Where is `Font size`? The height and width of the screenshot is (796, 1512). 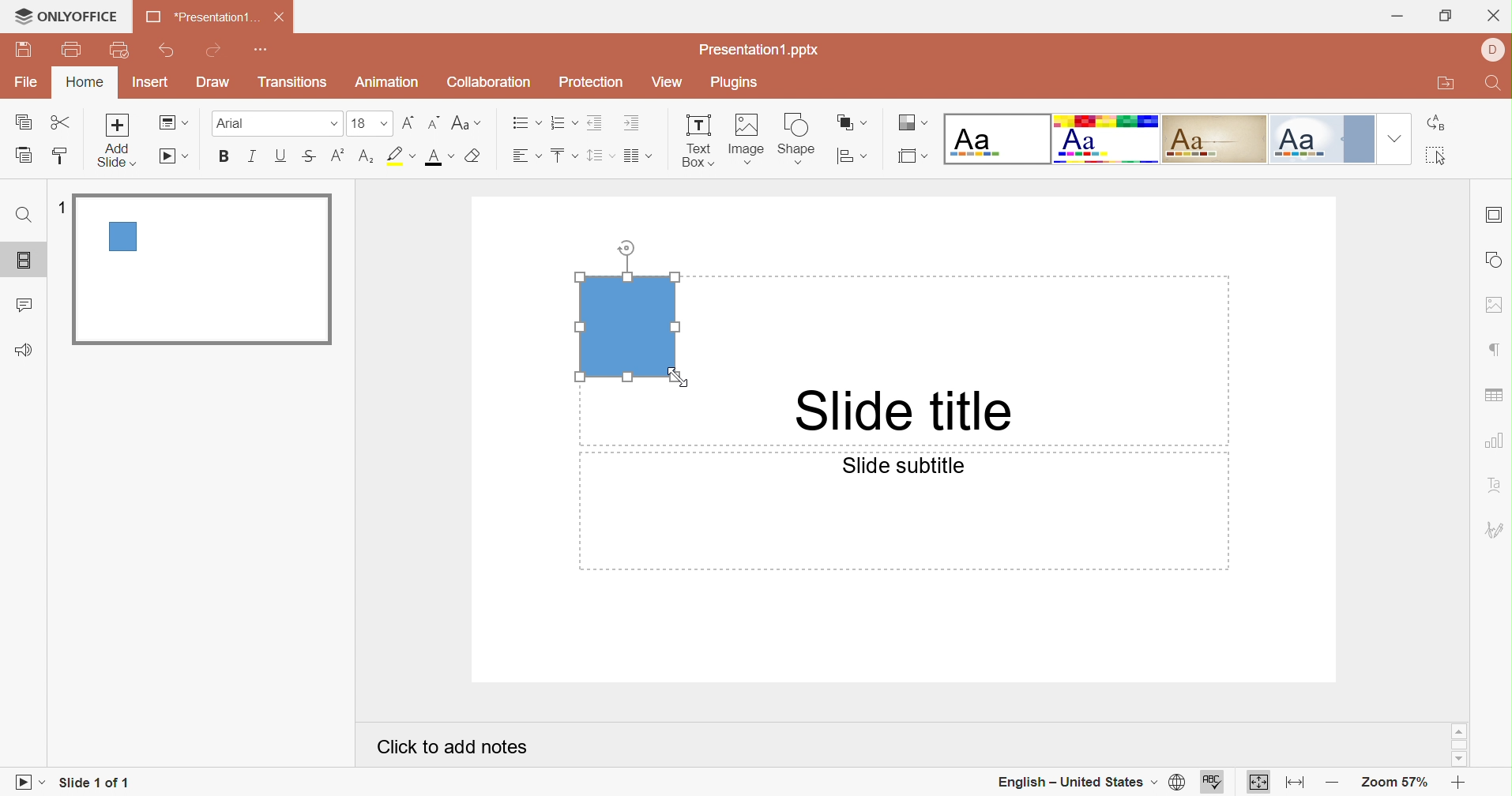 Font size is located at coordinates (370, 123).